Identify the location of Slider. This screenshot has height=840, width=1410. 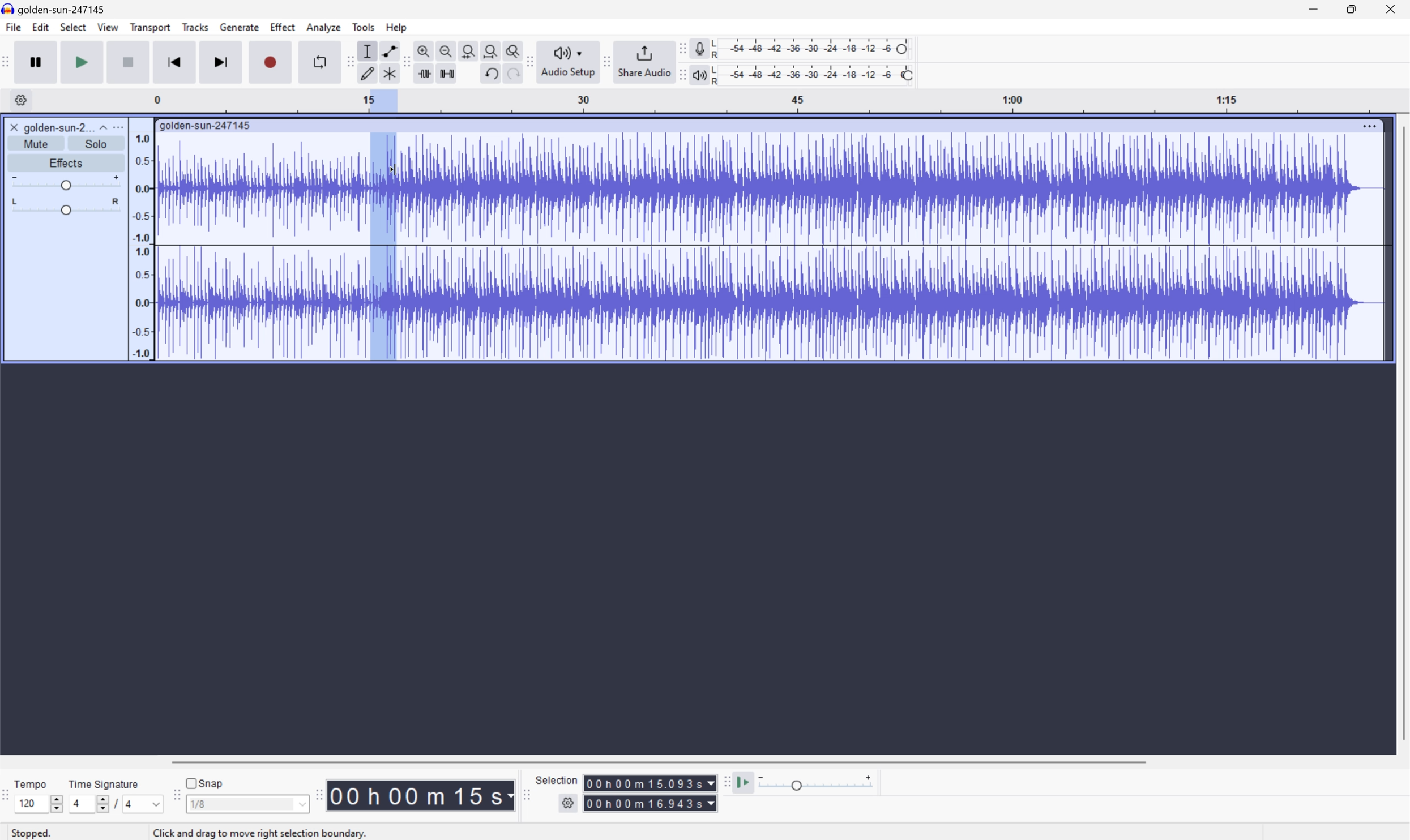
(96, 806).